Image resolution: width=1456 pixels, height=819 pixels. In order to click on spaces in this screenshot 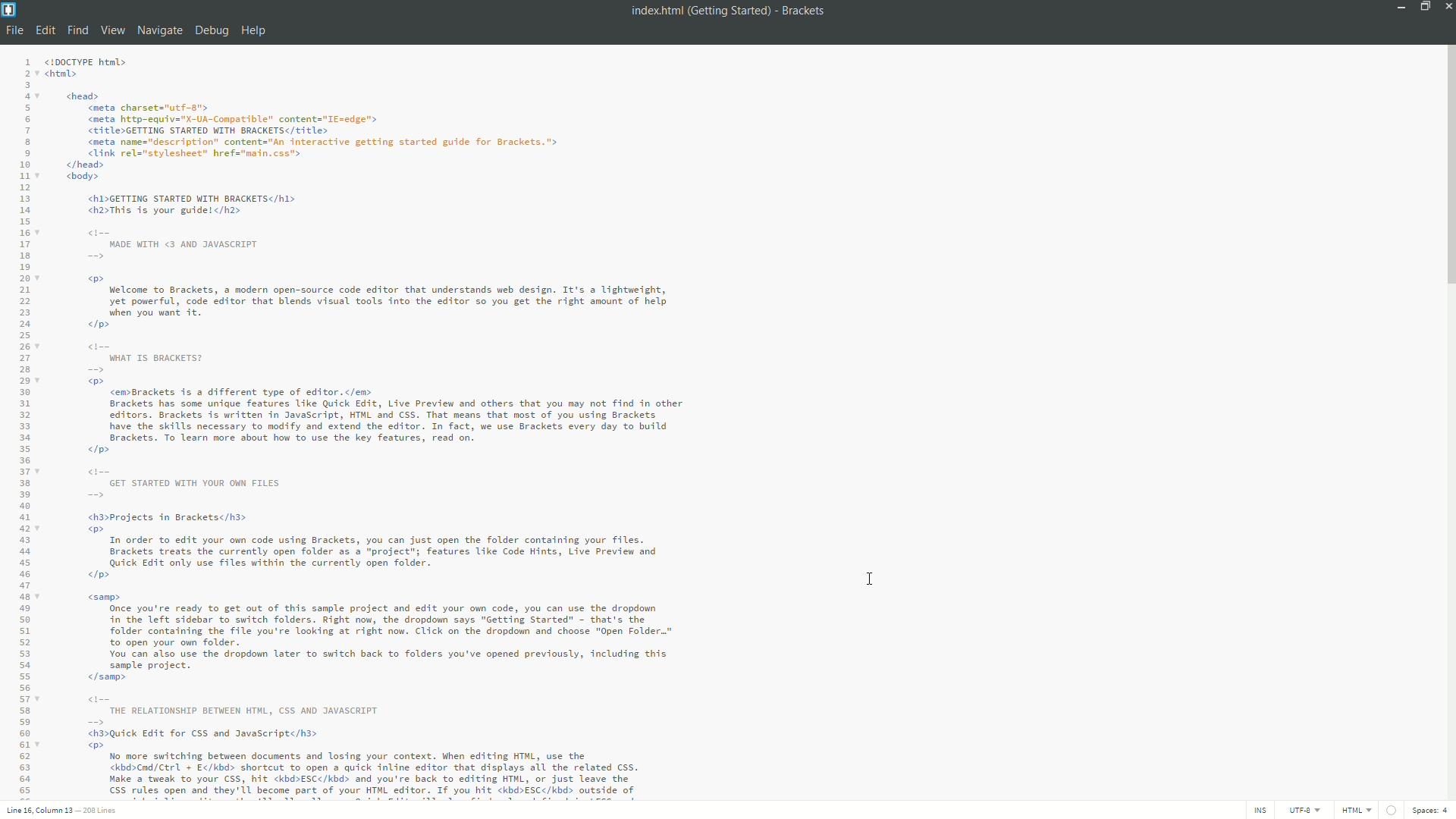, I will do `click(1432, 811)`.